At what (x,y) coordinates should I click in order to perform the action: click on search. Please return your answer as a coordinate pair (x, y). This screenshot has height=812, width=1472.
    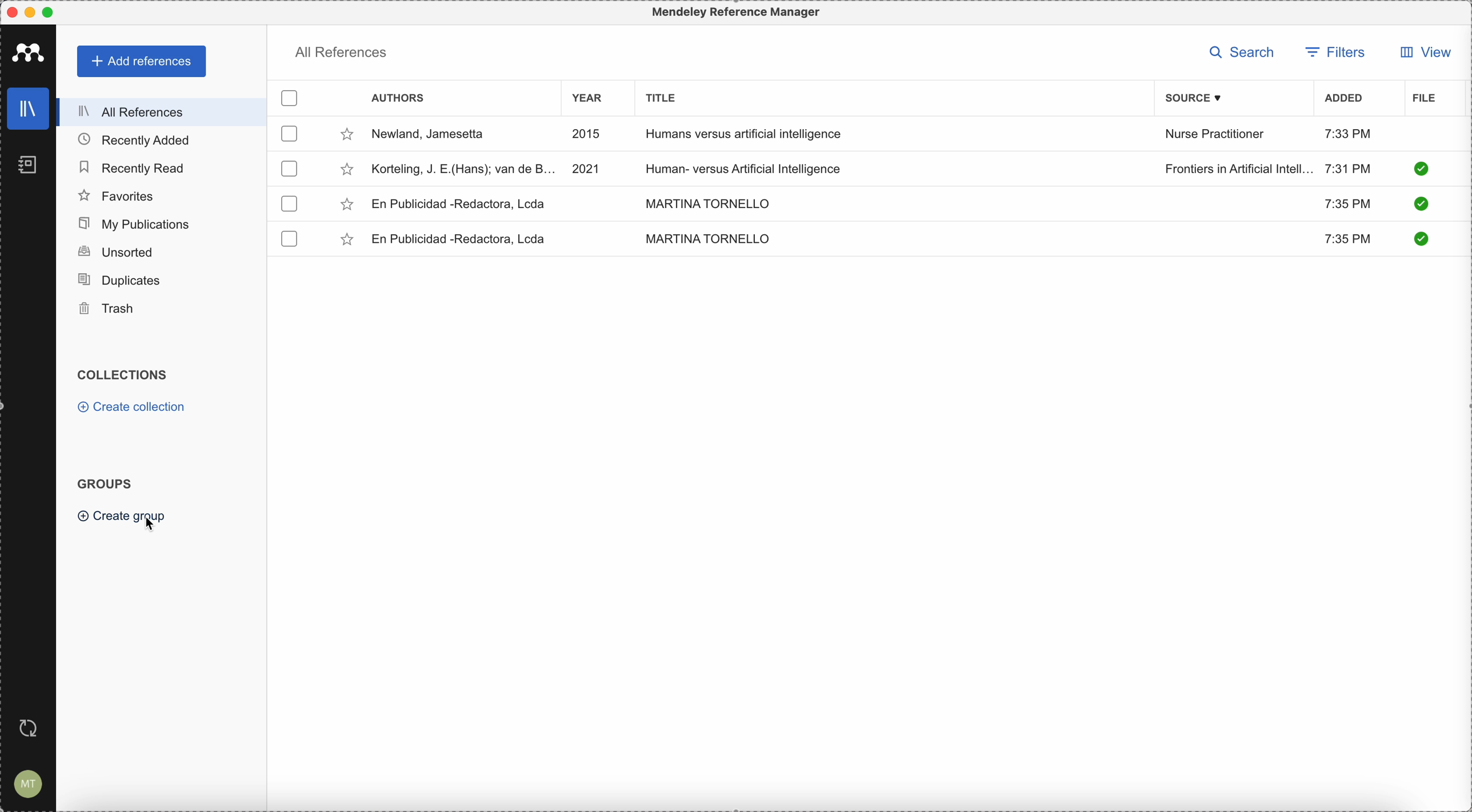
    Looking at the image, I should click on (1246, 53).